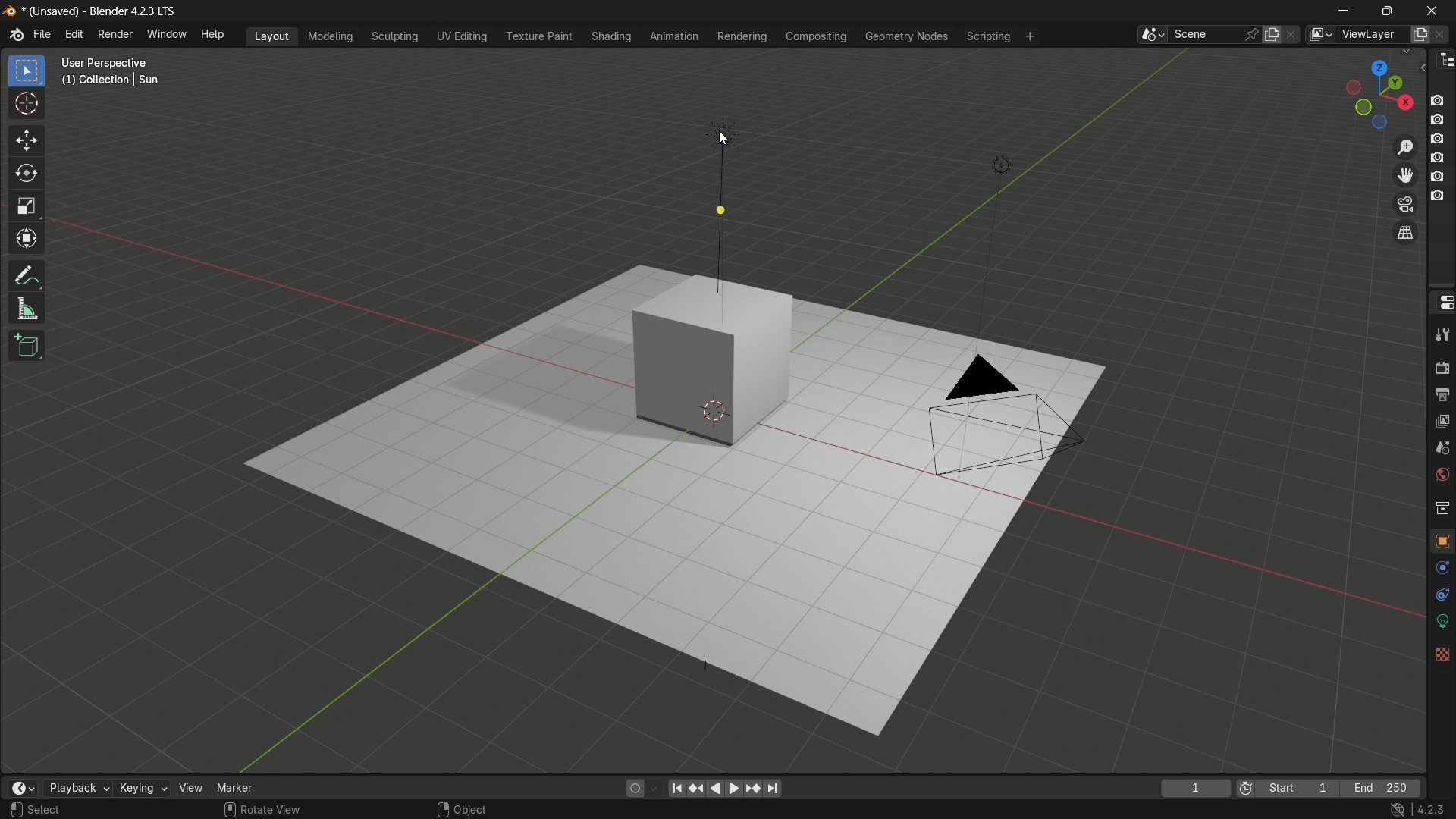 Image resolution: width=1456 pixels, height=819 pixels. I want to click on timeline, so click(24, 787).